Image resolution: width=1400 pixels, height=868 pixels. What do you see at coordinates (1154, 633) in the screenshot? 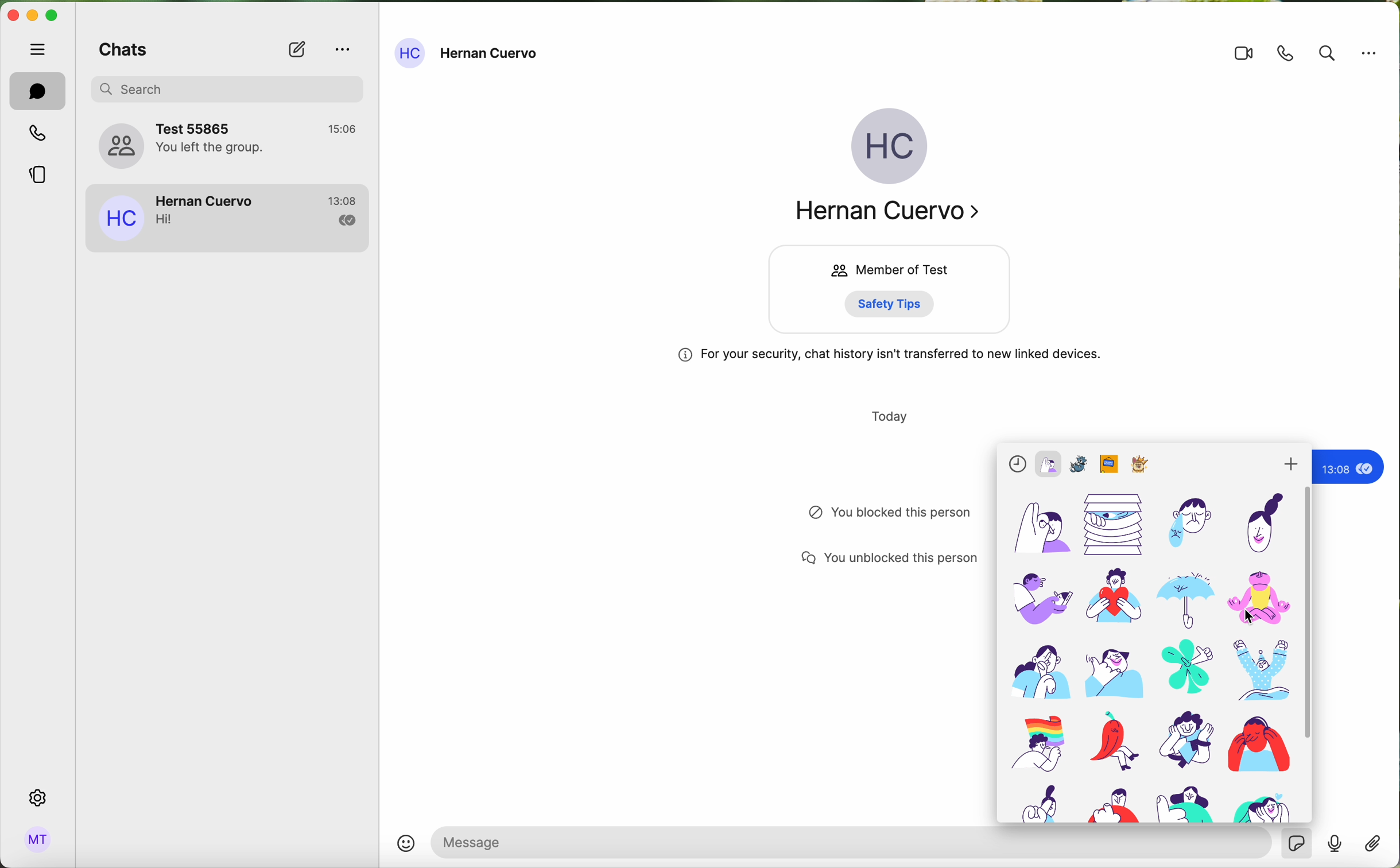
I see `various stickers` at bounding box center [1154, 633].